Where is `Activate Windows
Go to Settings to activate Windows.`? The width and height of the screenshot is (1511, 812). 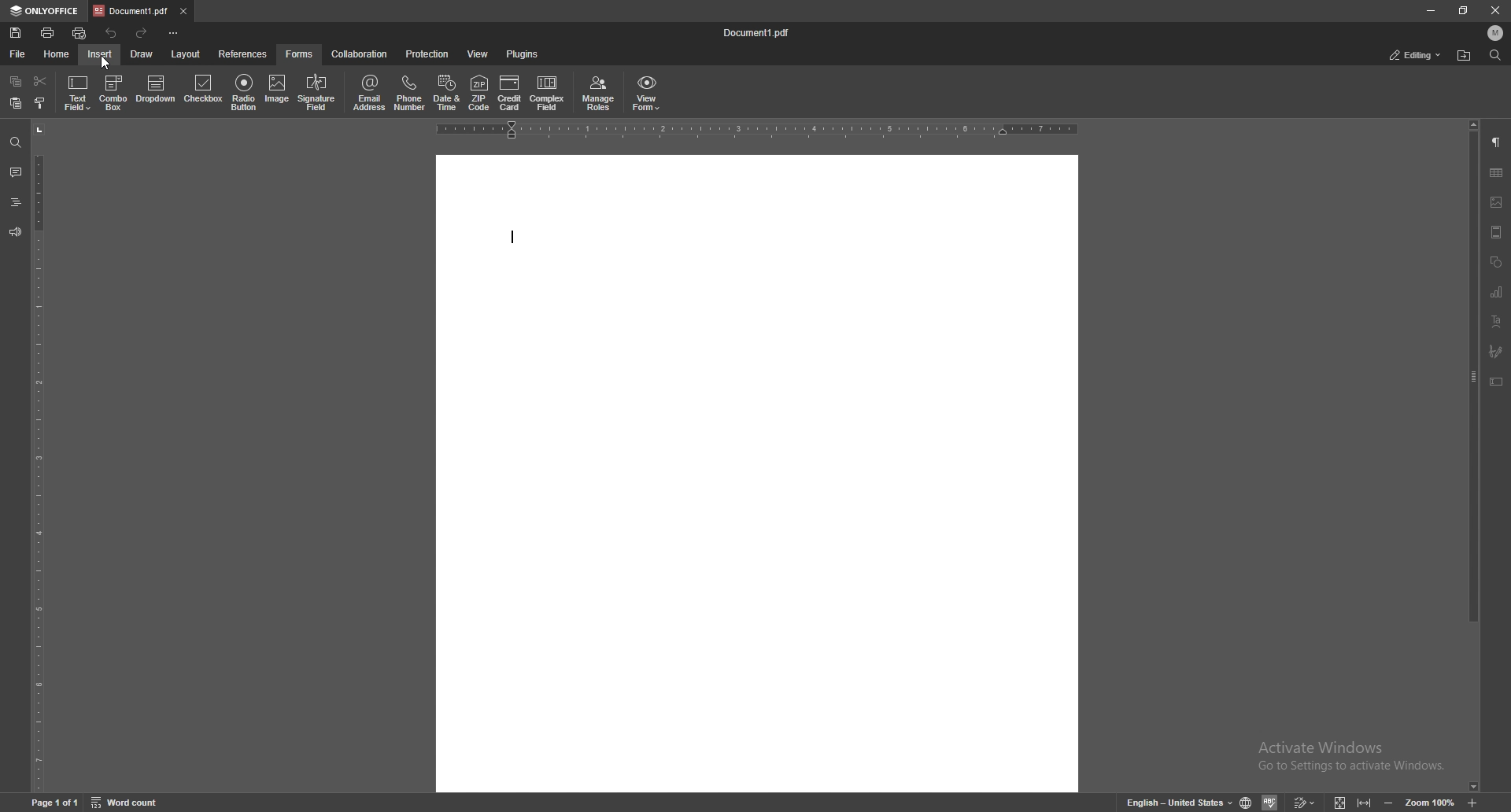 Activate Windows
Go to Settings to activate Windows. is located at coordinates (1355, 757).